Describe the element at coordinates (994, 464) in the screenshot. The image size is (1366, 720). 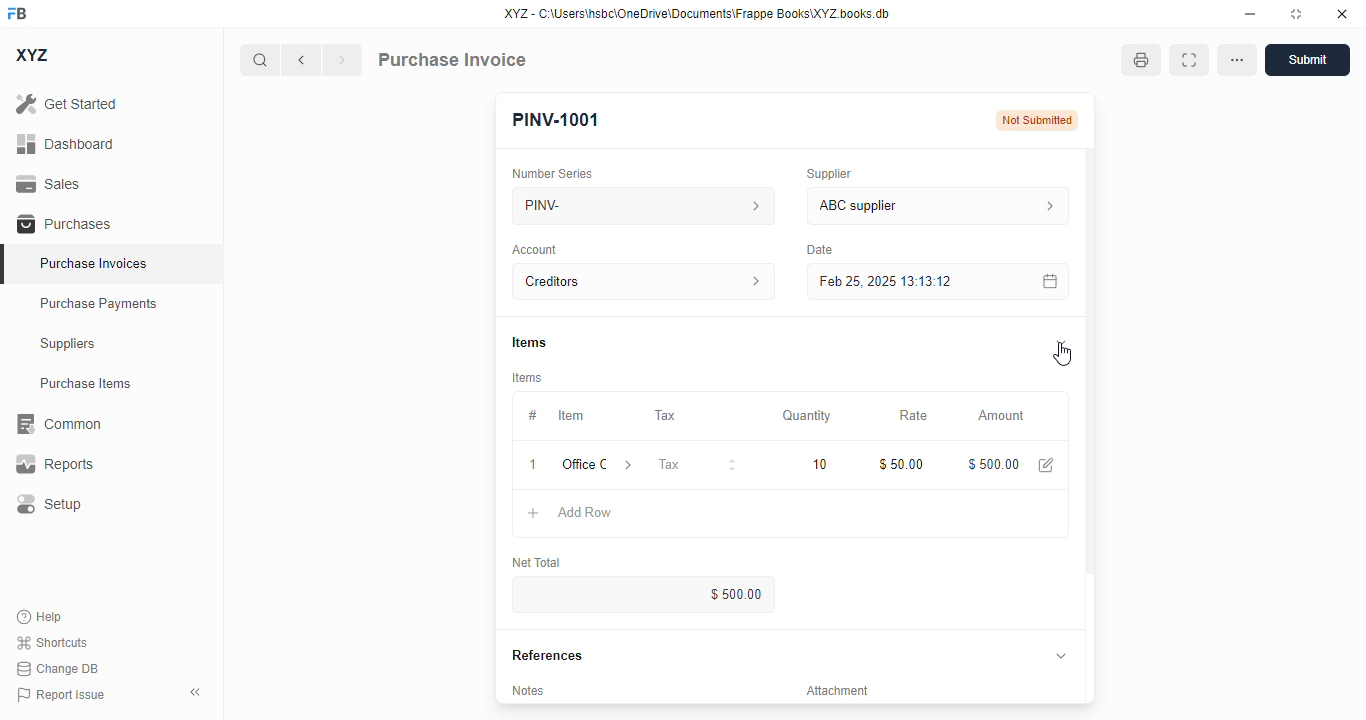
I see `$500.00` at that location.